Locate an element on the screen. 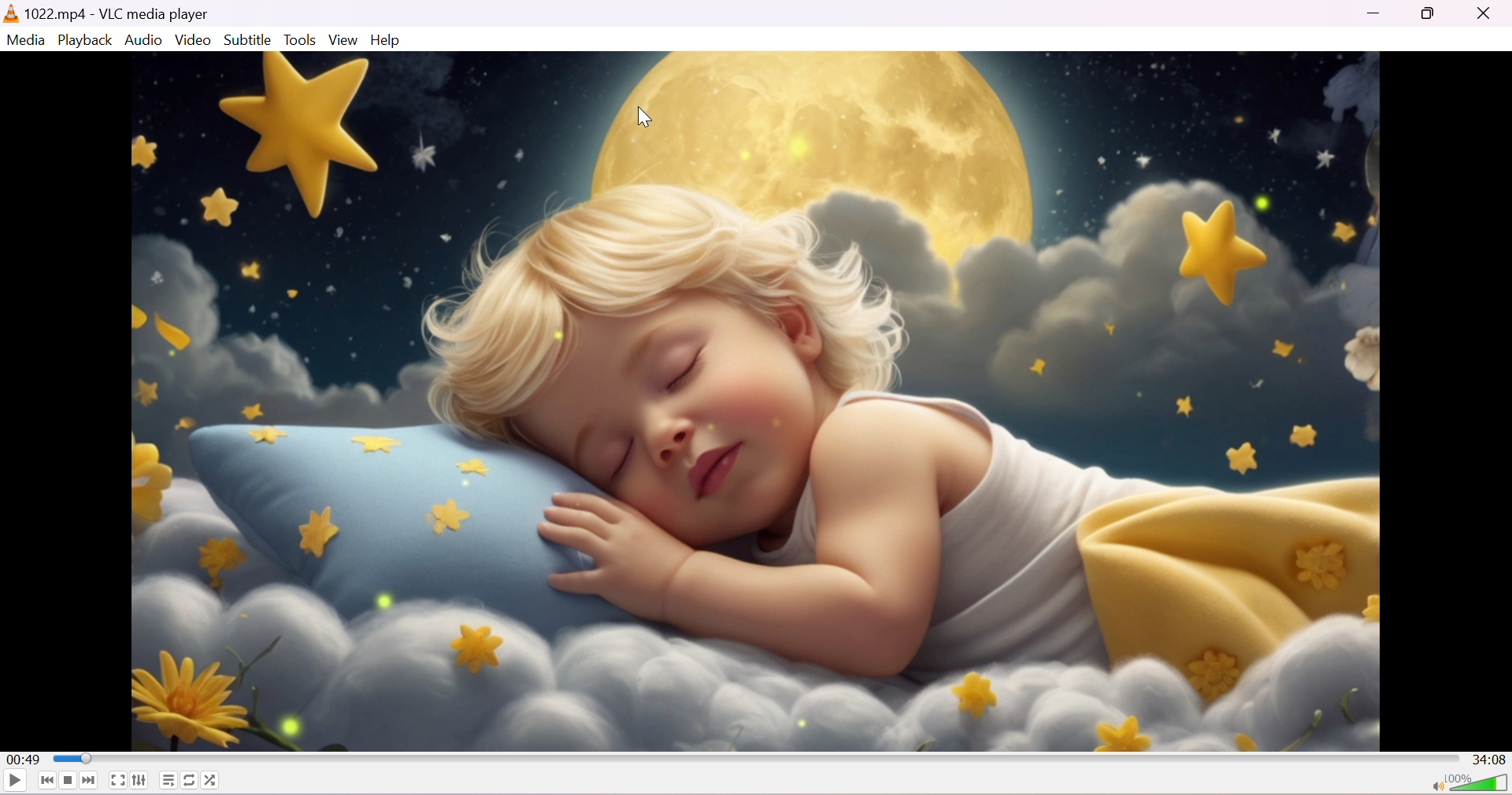 The width and height of the screenshot is (1512, 795). cursor is located at coordinates (647, 116).